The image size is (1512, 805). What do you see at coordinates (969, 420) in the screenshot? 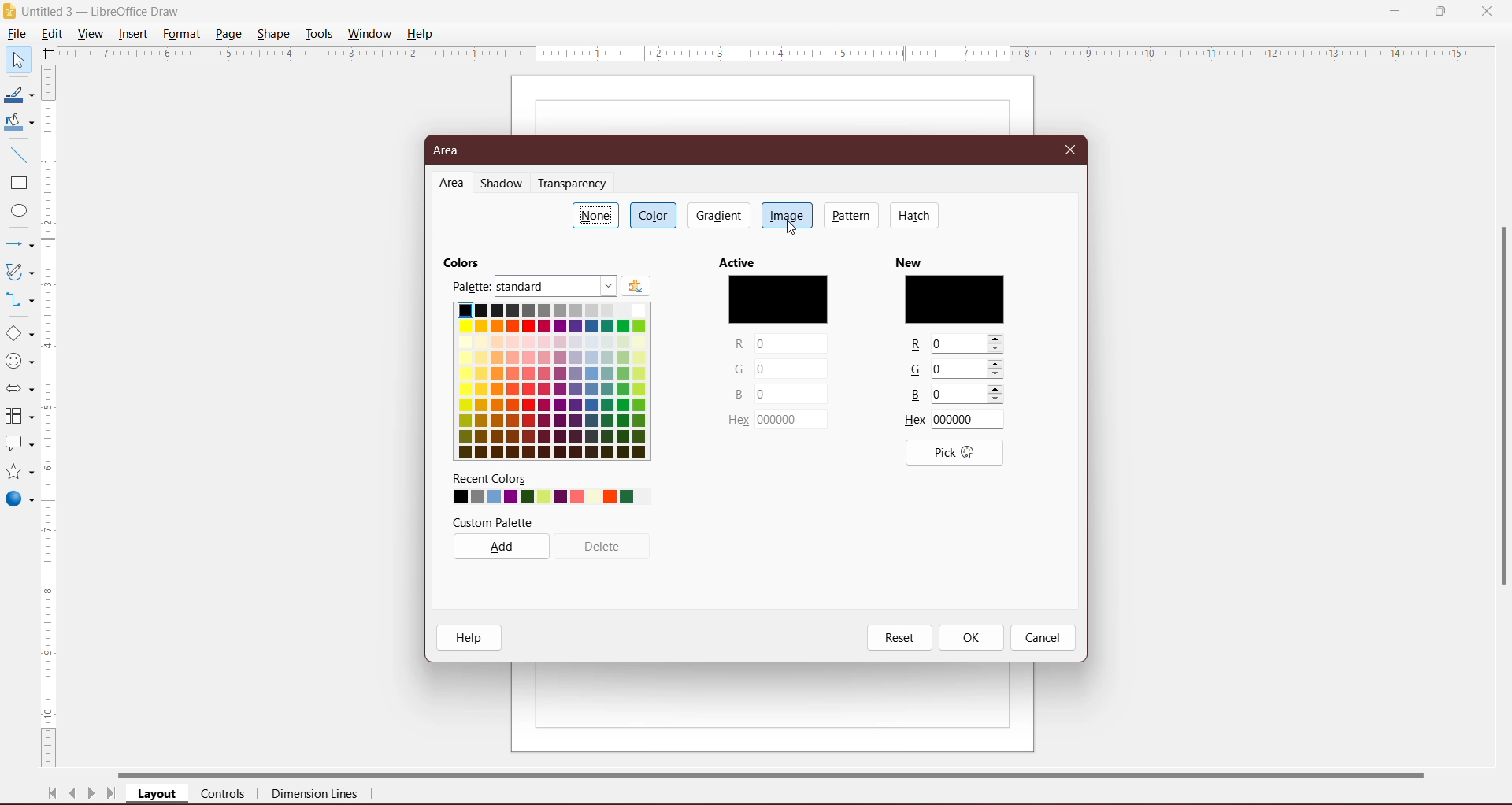
I see `000000` at bounding box center [969, 420].